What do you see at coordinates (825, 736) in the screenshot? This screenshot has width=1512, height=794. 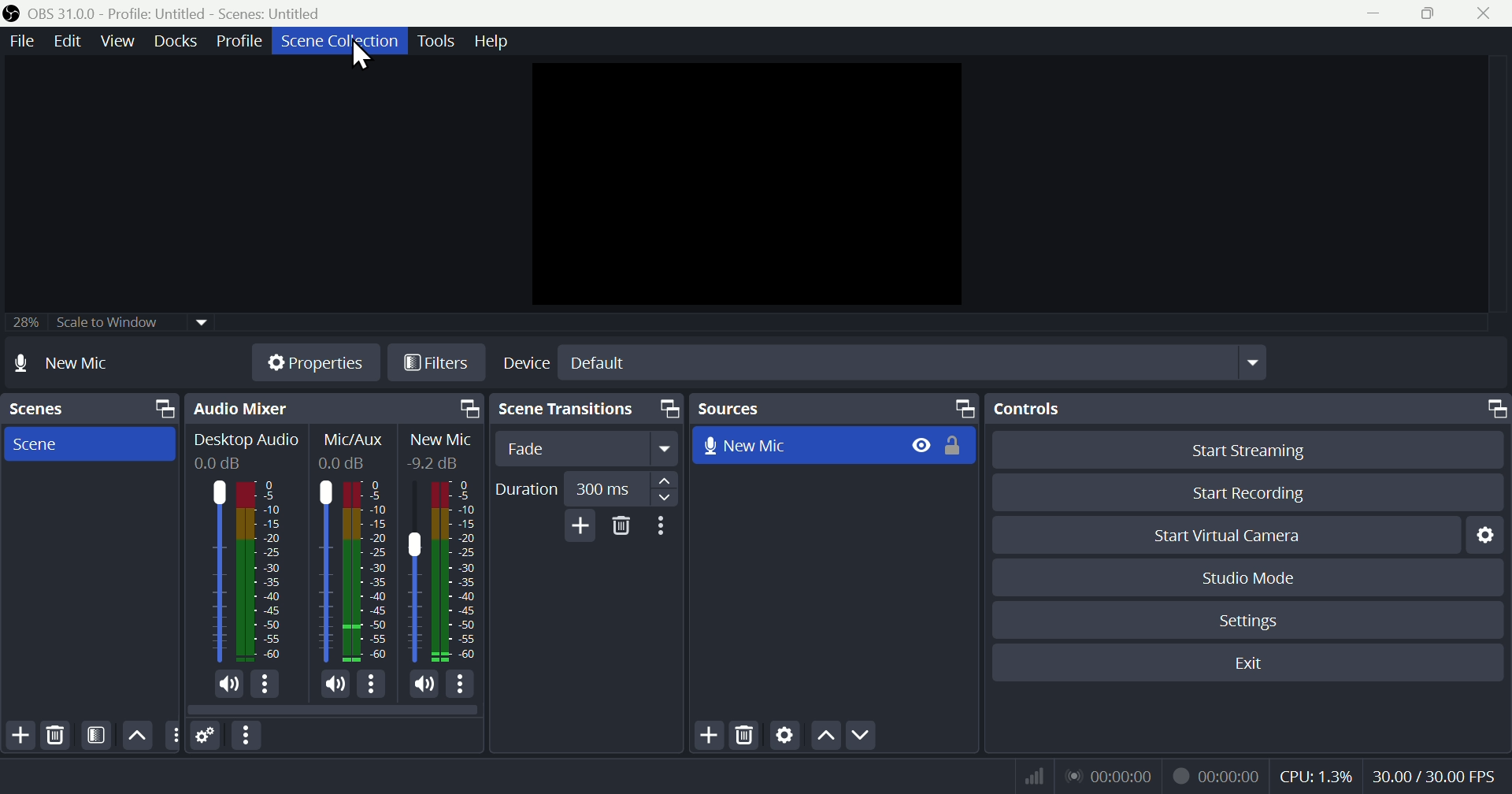 I see `up` at bounding box center [825, 736].